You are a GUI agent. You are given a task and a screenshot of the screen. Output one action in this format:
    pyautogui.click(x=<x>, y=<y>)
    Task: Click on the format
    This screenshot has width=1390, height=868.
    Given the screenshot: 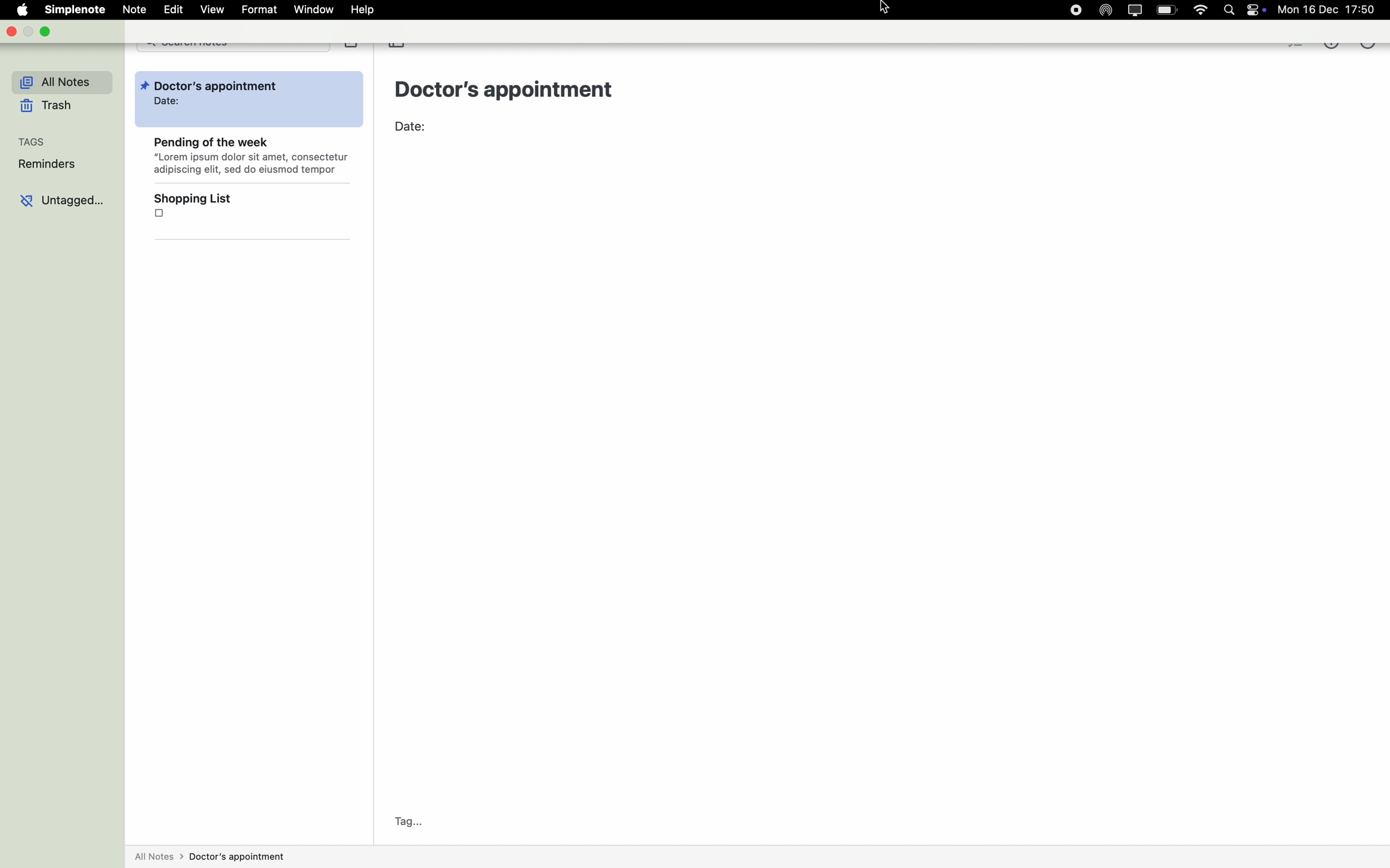 What is the action you would take?
    pyautogui.click(x=259, y=10)
    